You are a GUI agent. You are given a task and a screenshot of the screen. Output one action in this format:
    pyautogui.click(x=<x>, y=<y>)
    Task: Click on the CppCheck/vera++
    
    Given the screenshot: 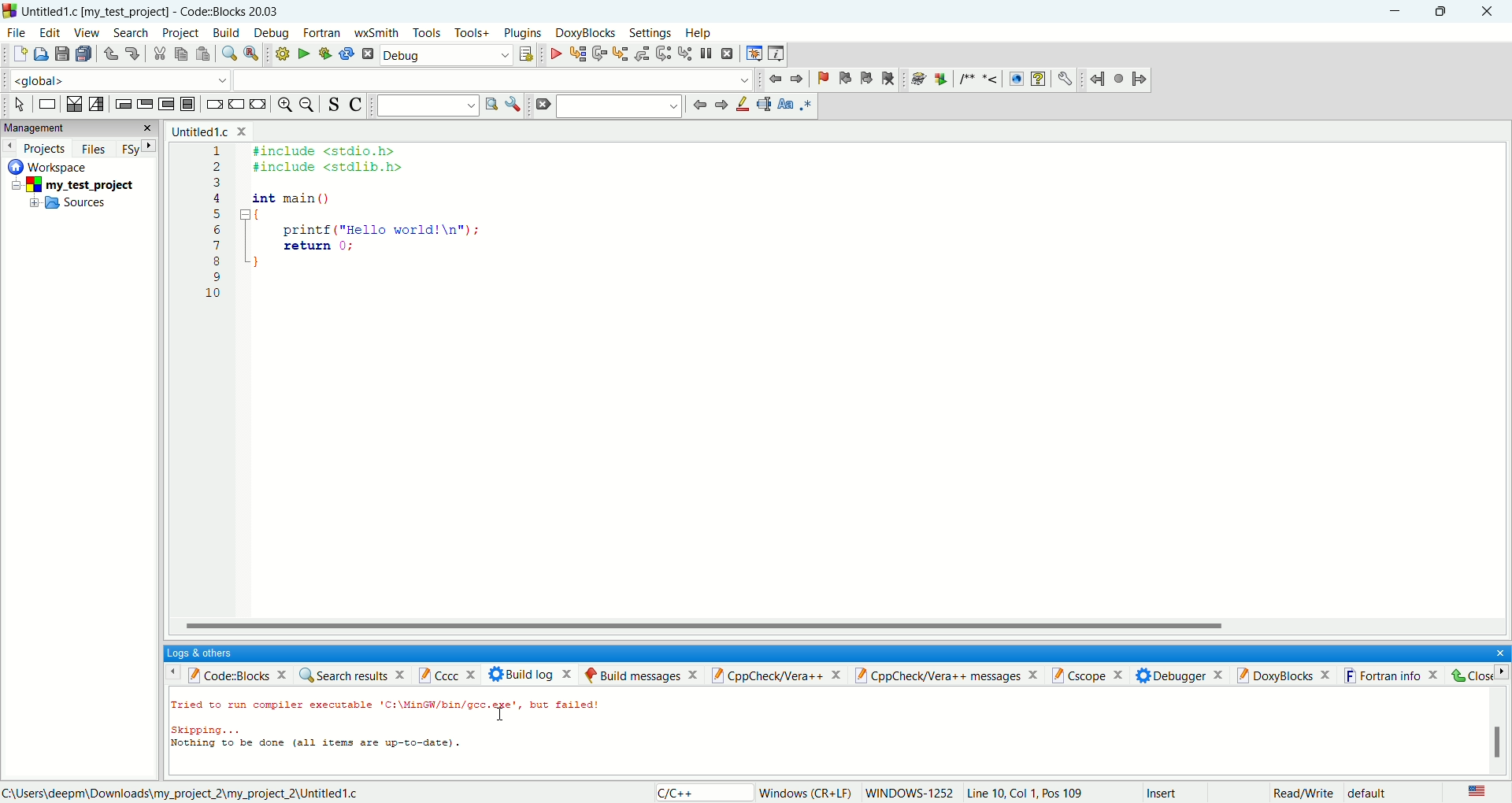 What is the action you would take?
    pyautogui.click(x=777, y=675)
    